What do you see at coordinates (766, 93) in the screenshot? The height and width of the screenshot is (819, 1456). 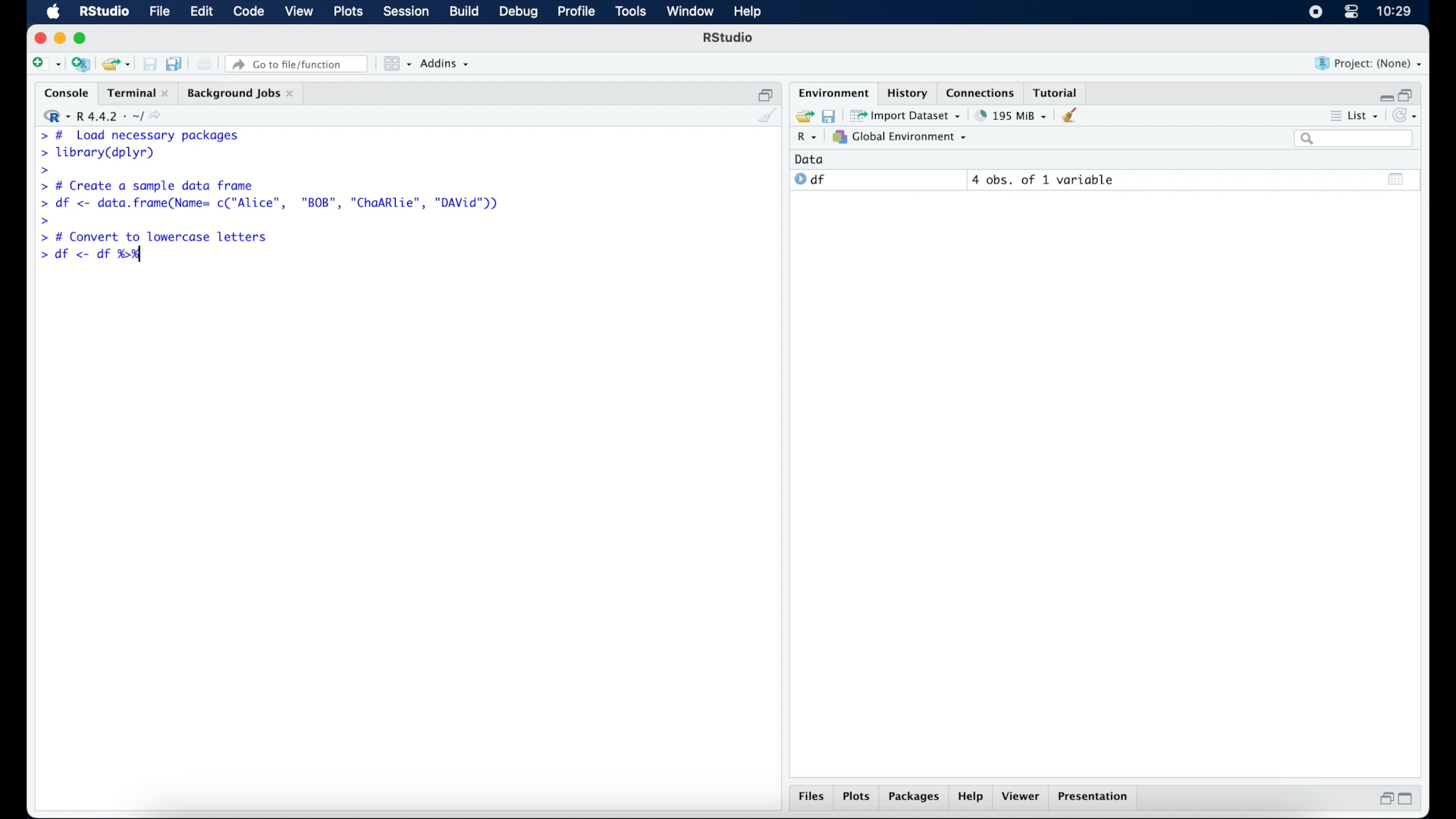 I see `restore down` at bounding box center [766, 93].